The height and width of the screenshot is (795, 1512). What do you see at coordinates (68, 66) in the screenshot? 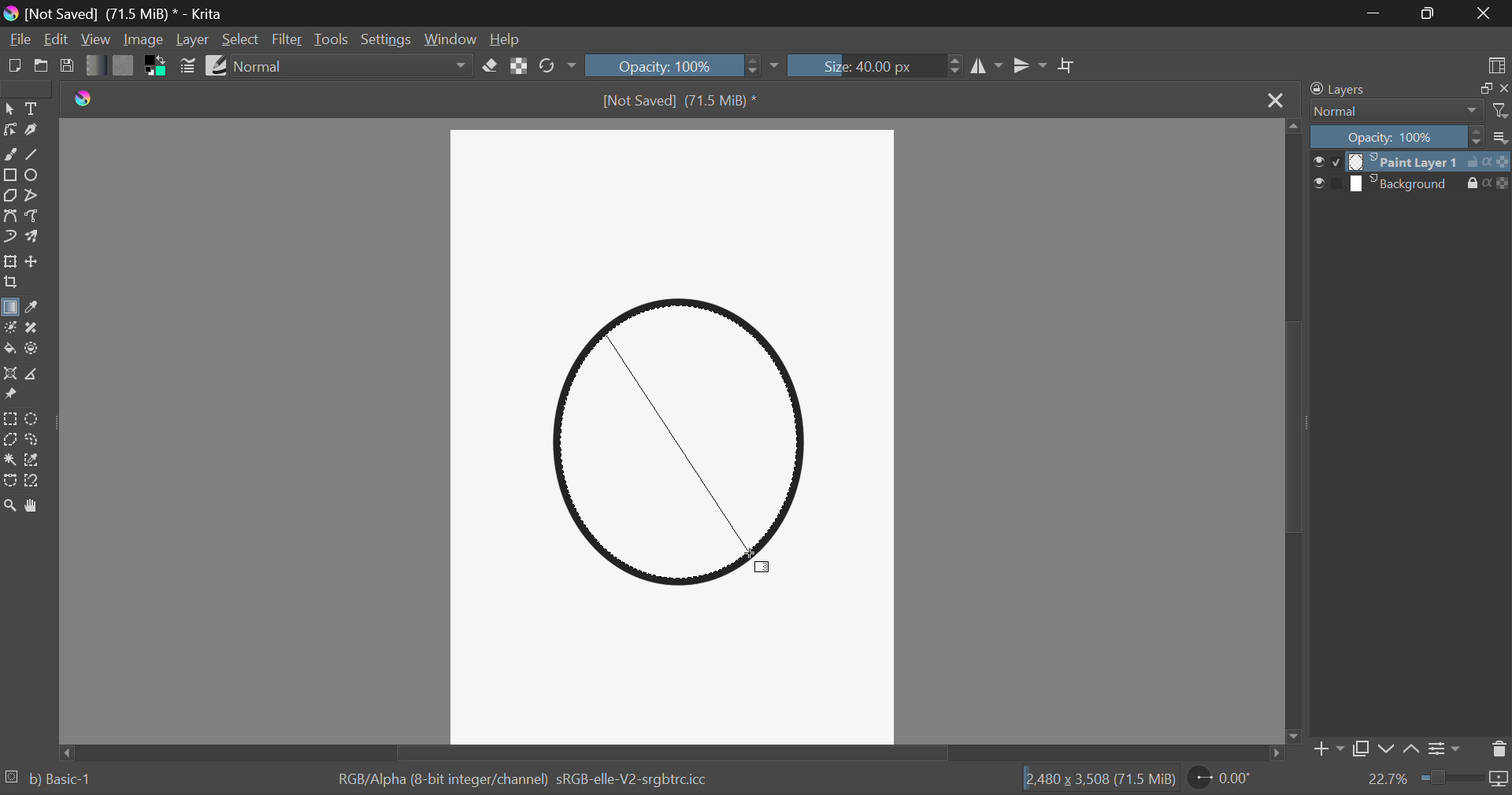
I see `Save` at bounding box center [68, 66].